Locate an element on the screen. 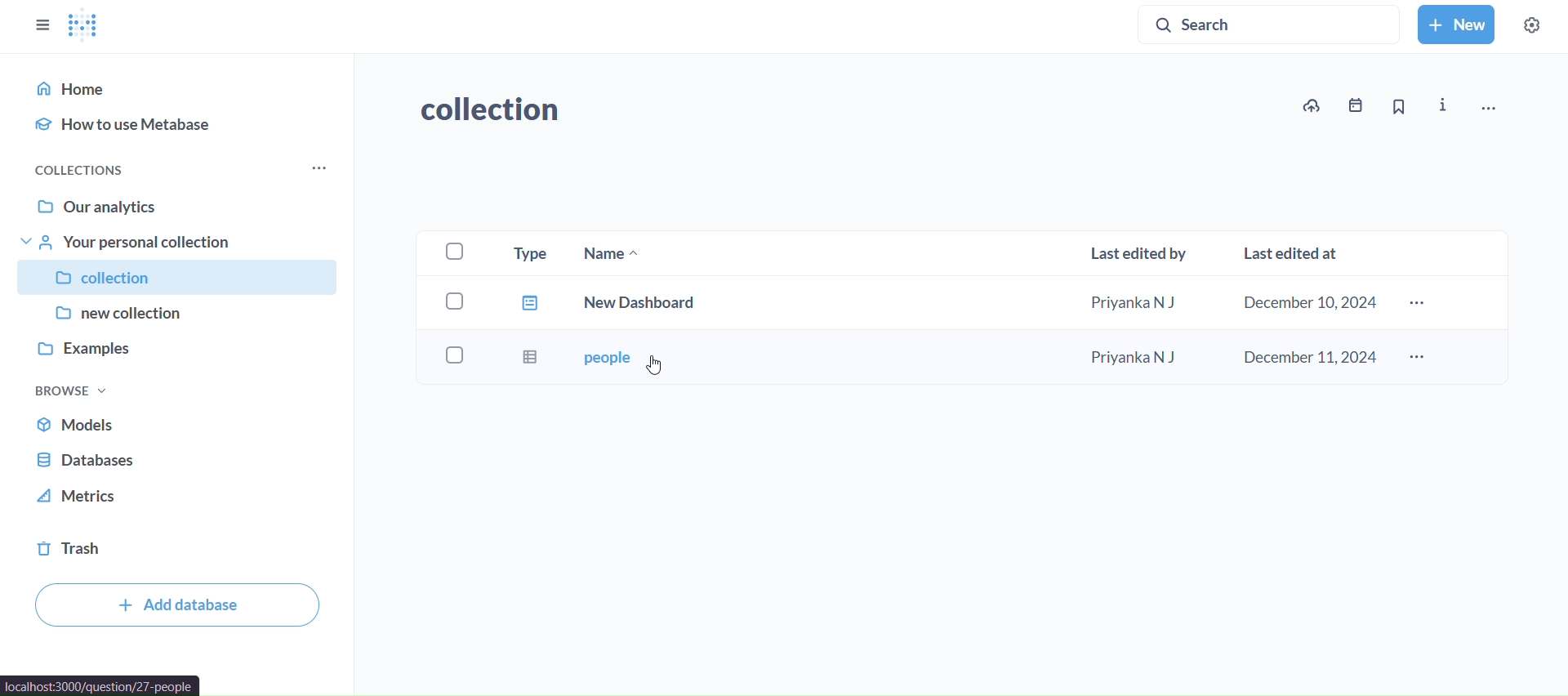 This screenshot has width=1568, height=696. Priyanka N J is located at coordinates (1134, 304).